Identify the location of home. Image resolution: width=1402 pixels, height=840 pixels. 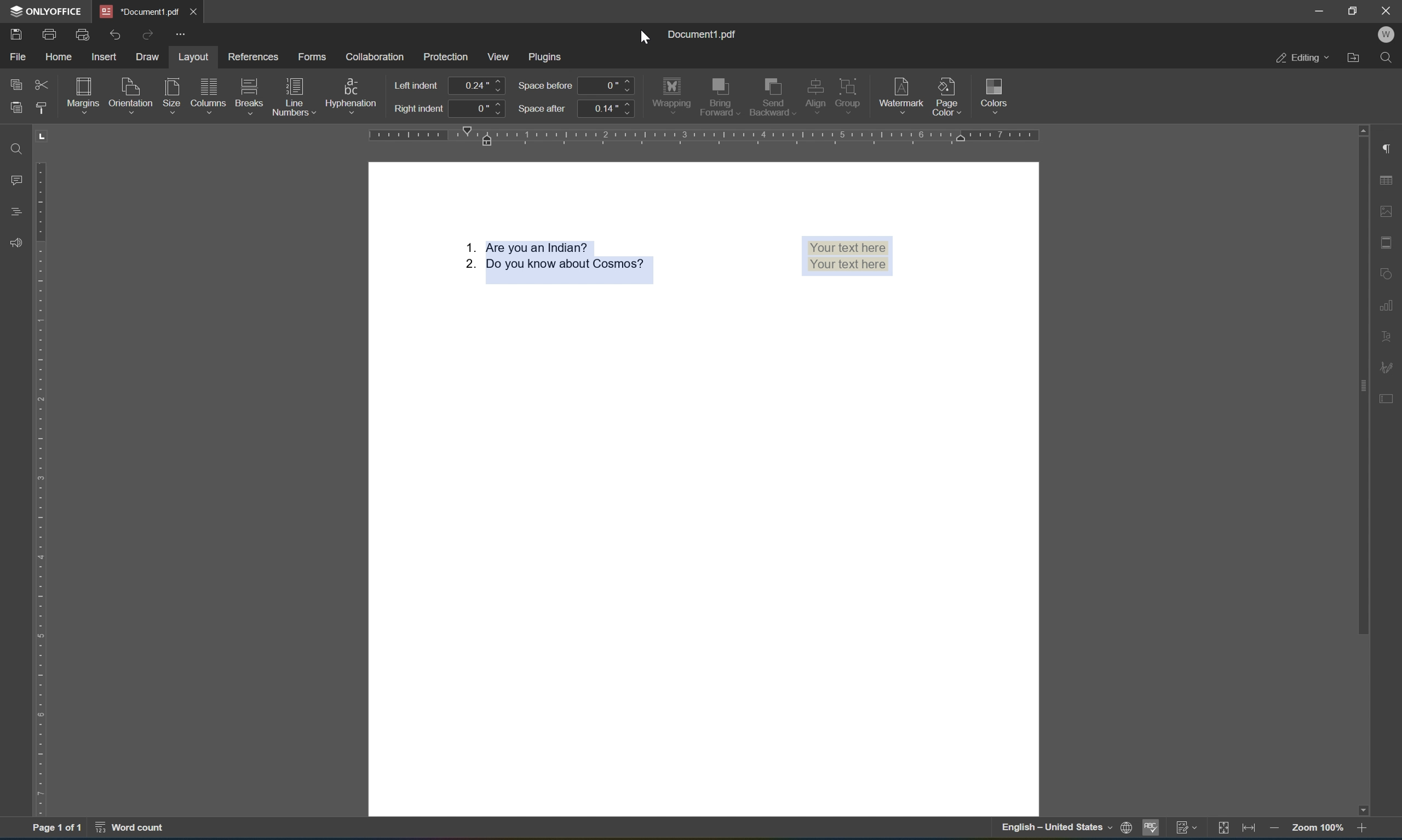
(60, 57).